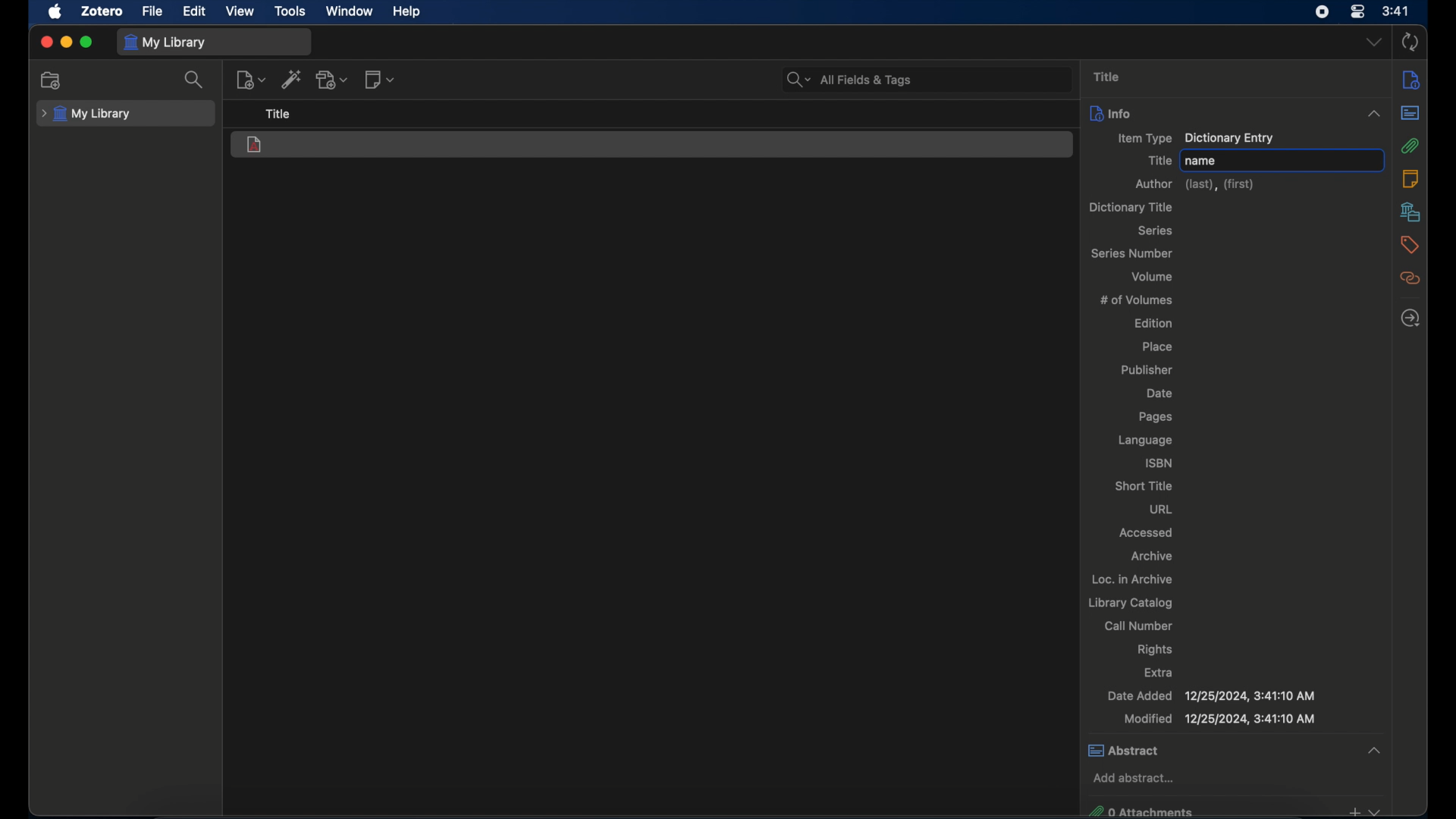  What do you see at coordinates (1410, 178) in the screenshot?
I see `notes` at bounding box center [1410, 178].